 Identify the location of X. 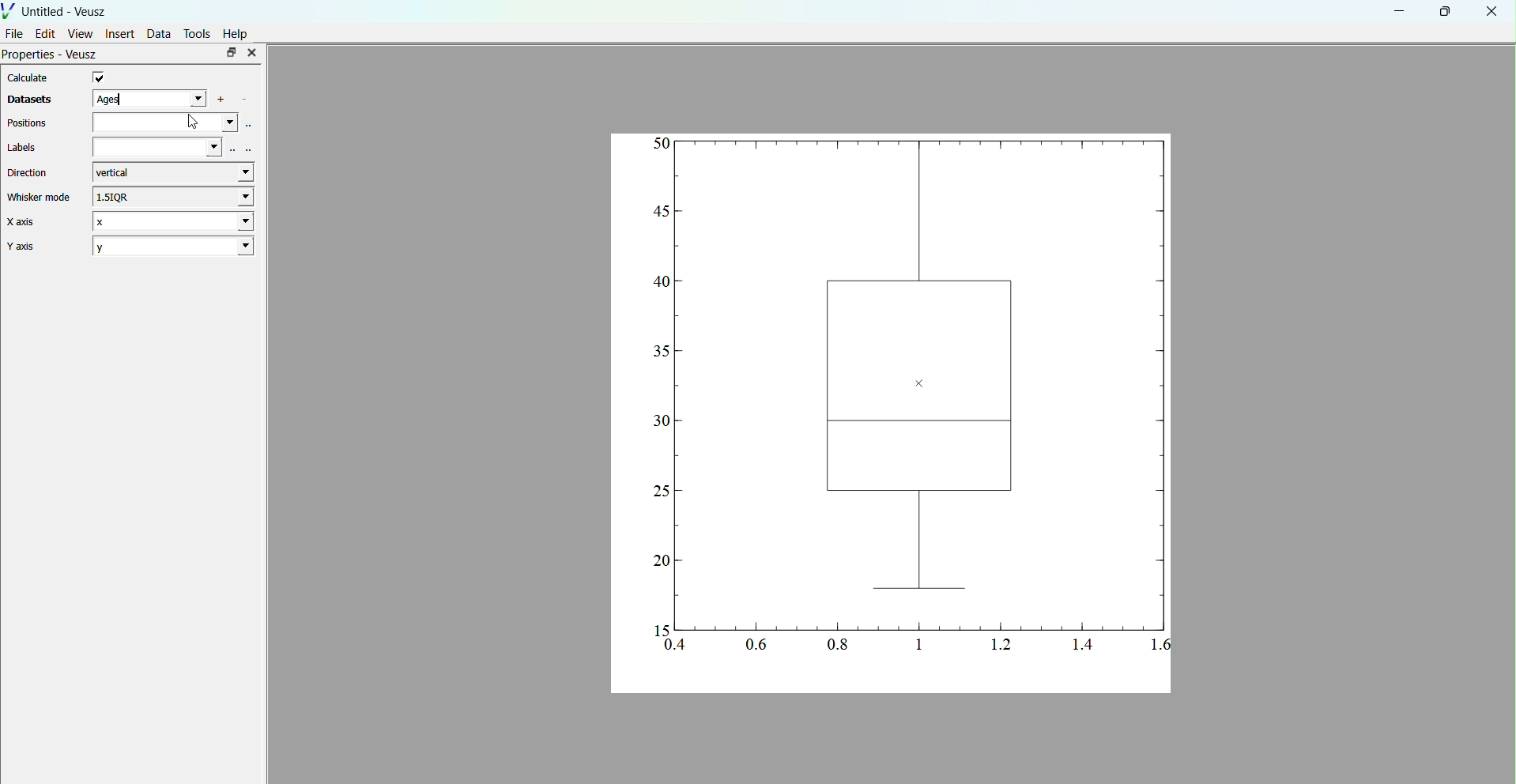
(172, 220).